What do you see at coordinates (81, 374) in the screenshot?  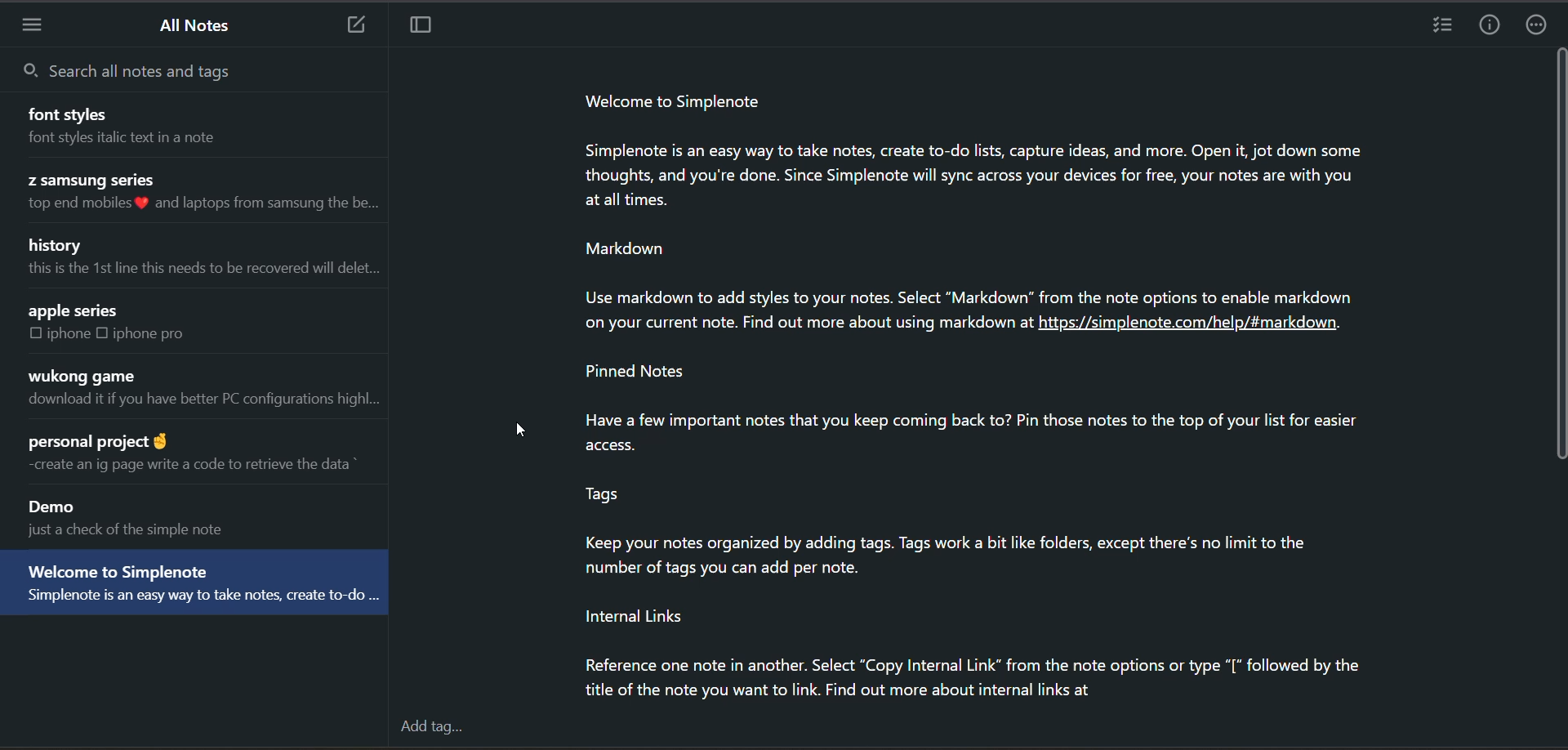 I see `wukong game` at bounding box center [81, 374].